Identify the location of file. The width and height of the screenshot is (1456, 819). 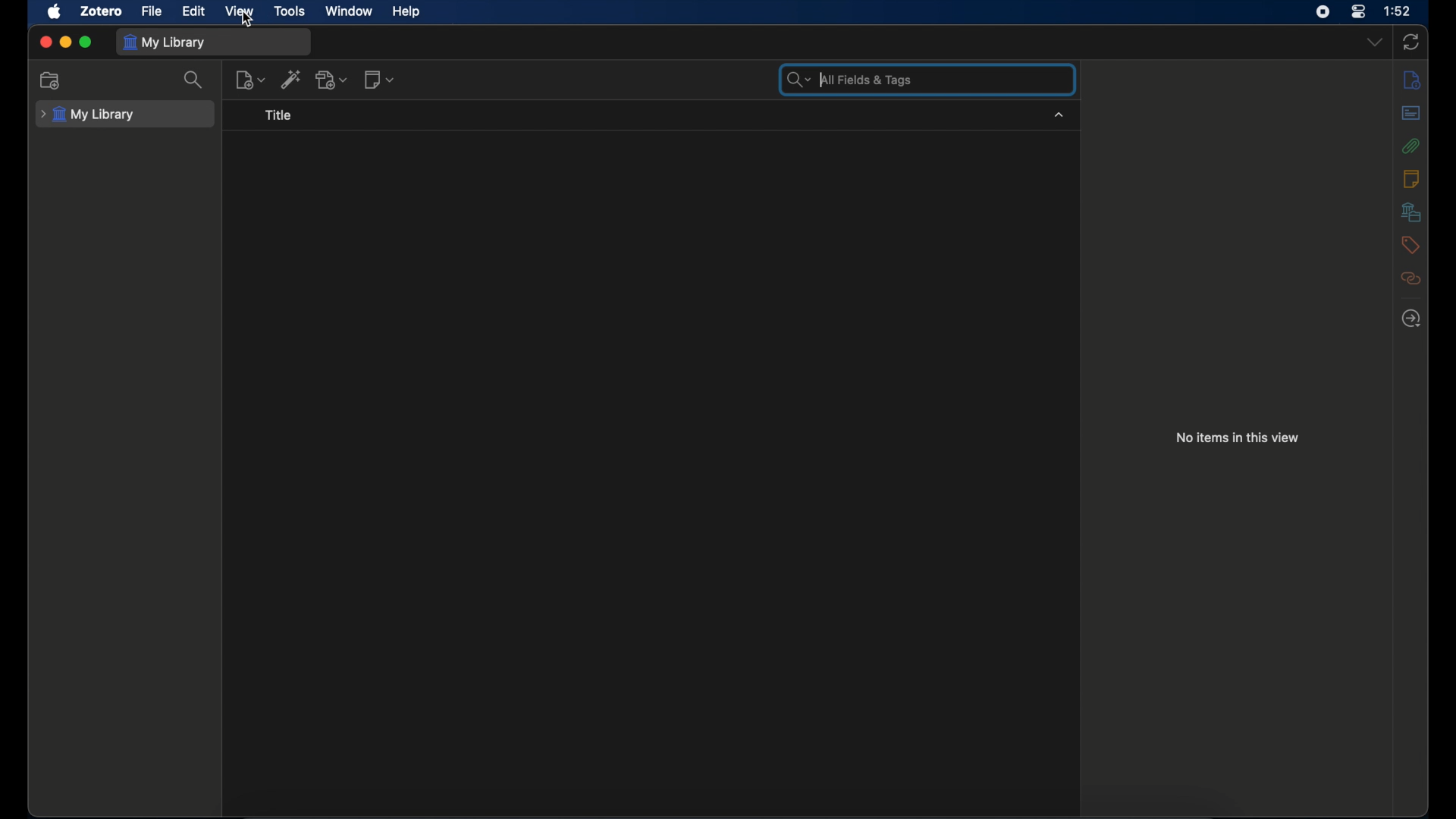
(153, 10).